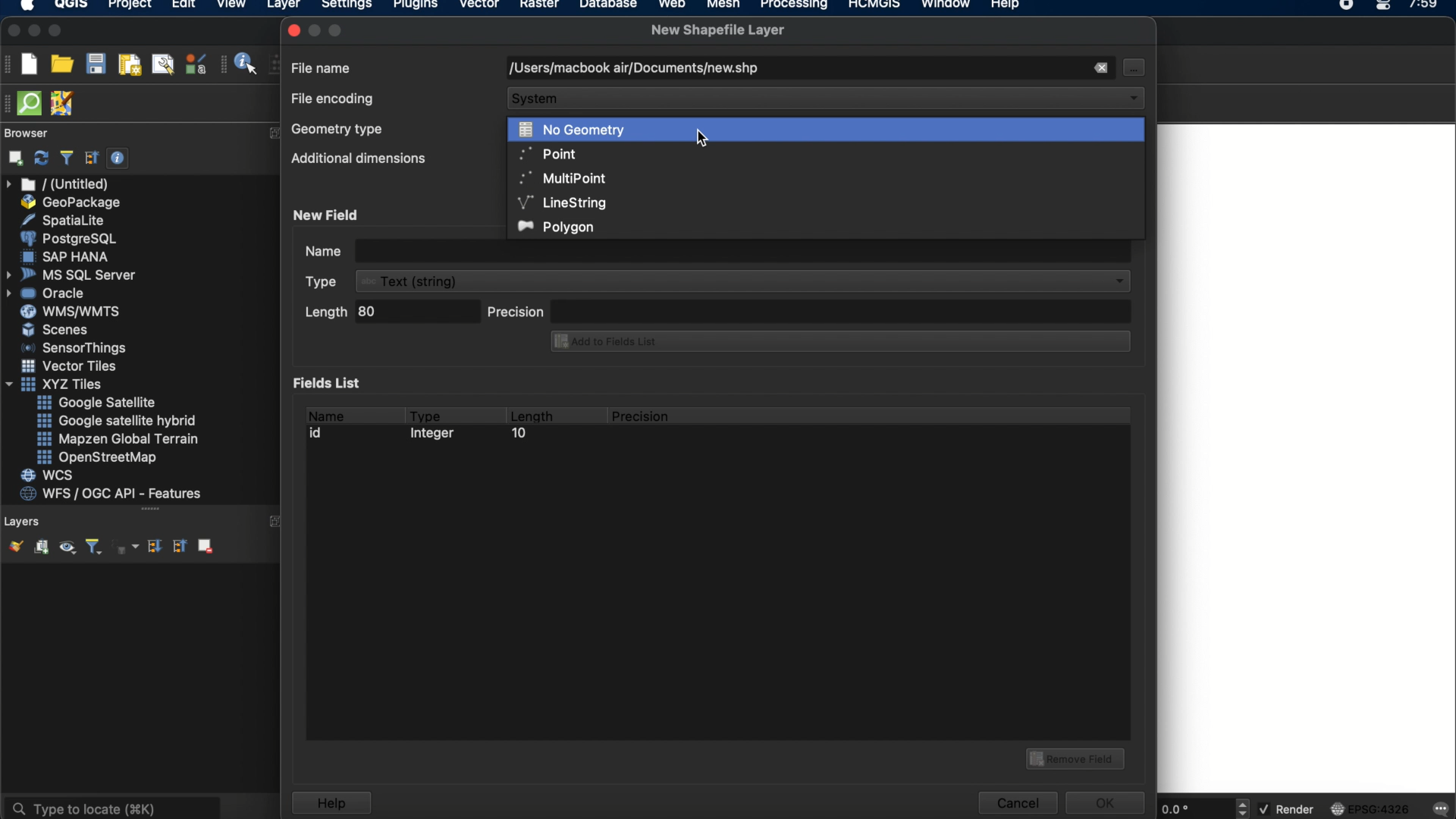  I want to click on save project, so click(95, 64).